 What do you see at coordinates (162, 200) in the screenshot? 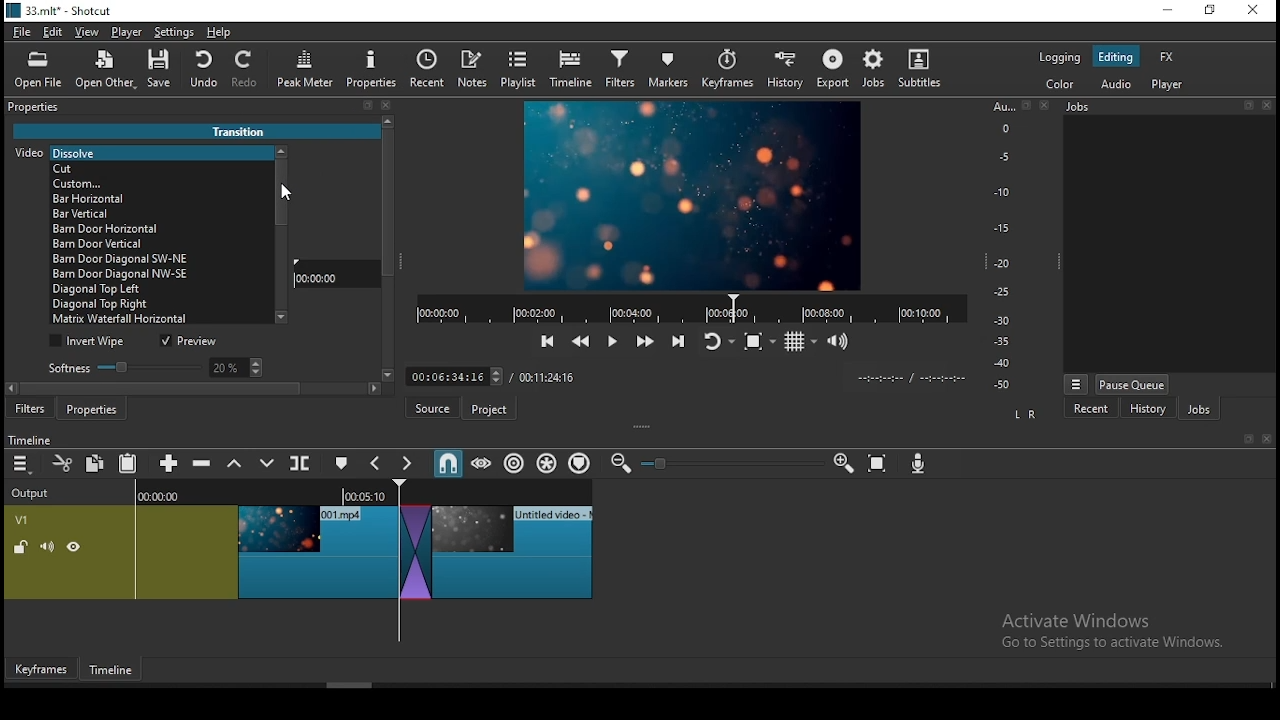
I see `transition option` at bounding box center [162, 200].